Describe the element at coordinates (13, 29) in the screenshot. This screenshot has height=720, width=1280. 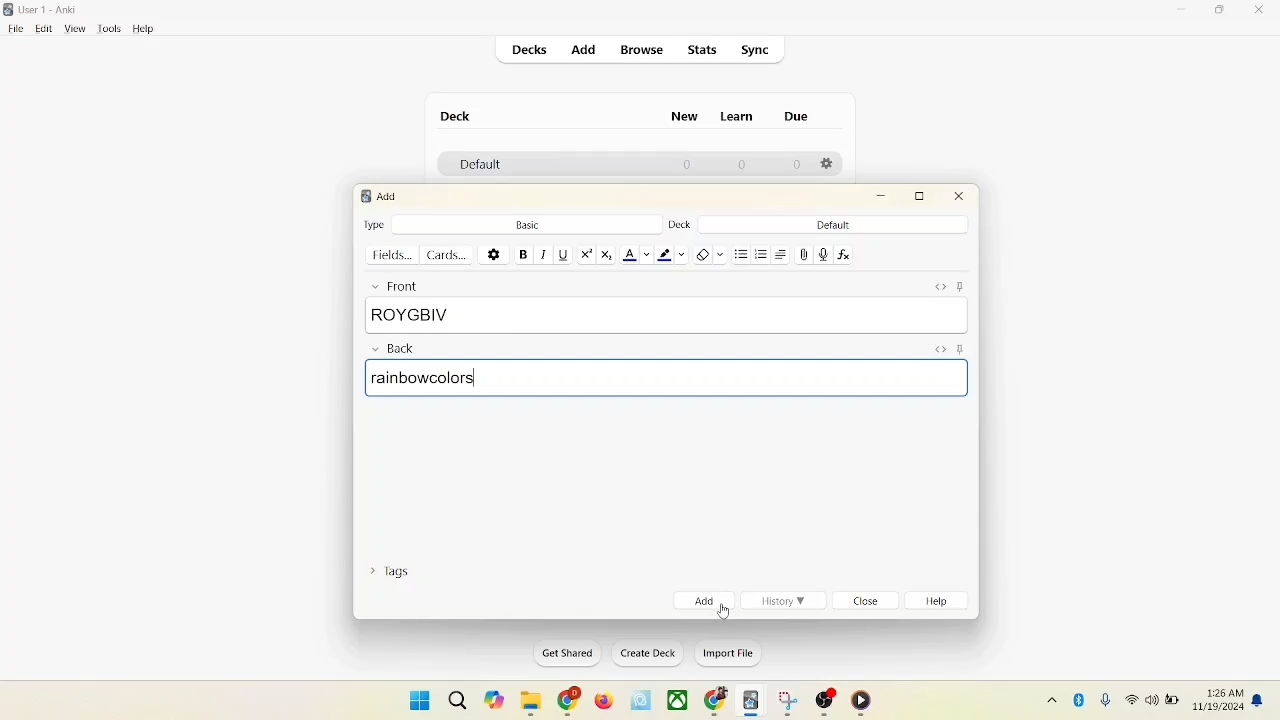
I see `file` at that location.